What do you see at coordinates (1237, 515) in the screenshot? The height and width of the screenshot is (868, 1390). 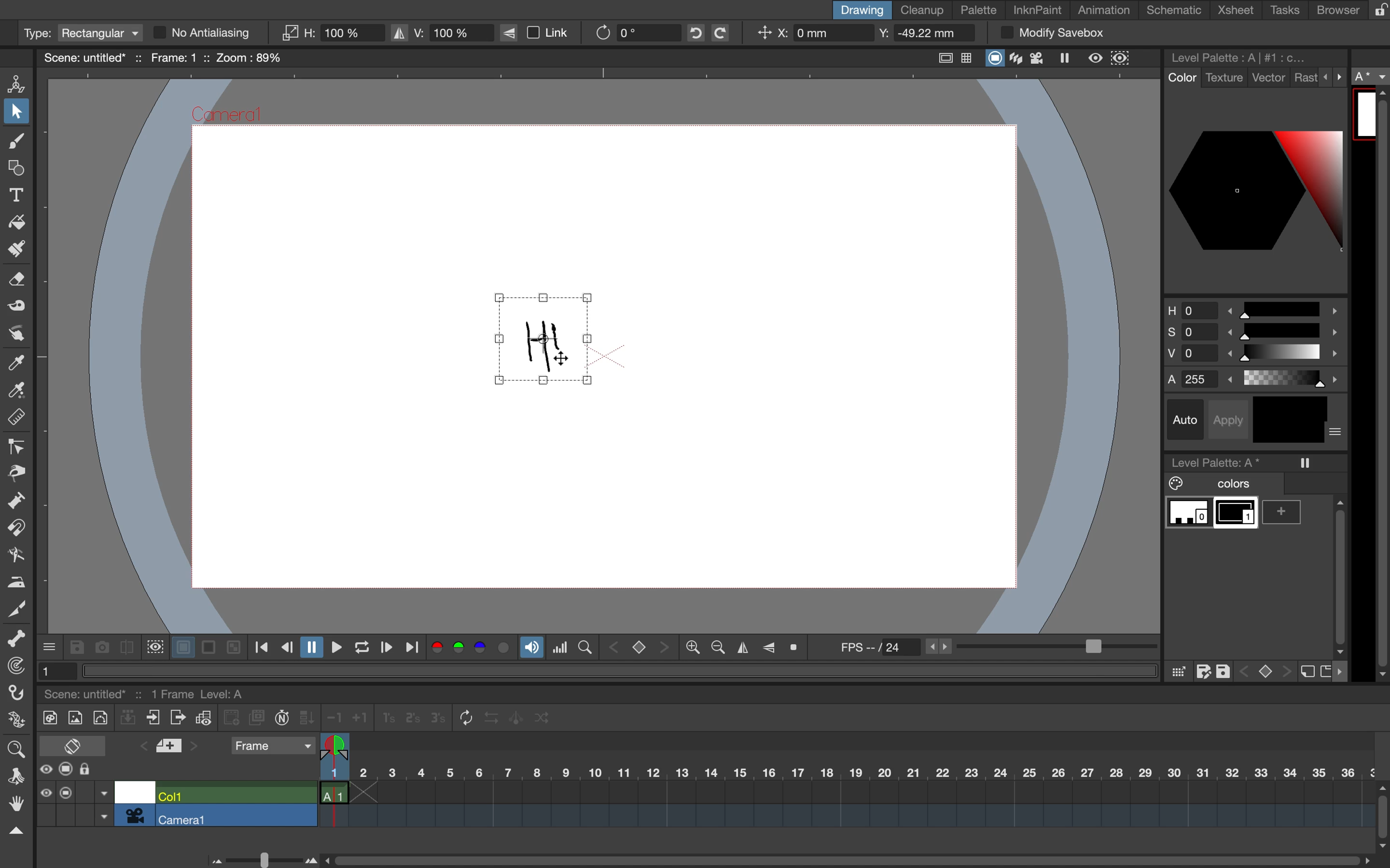 I see `color 1` at bounding box center [1237, 515].